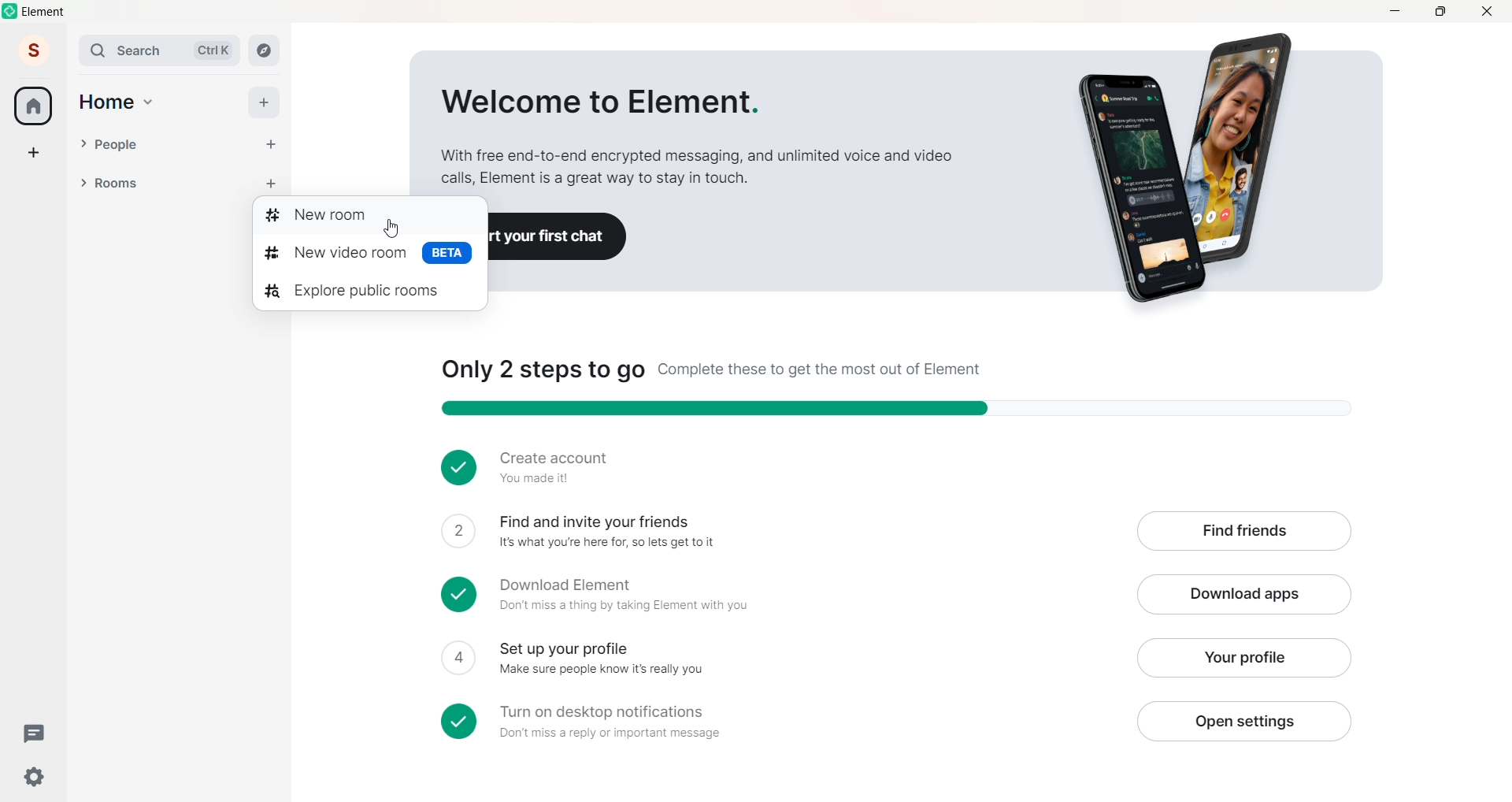  What do you see at coordinates (158, 184) in the screenshot?
I see `Rooms` at bounding box center [158, 184].